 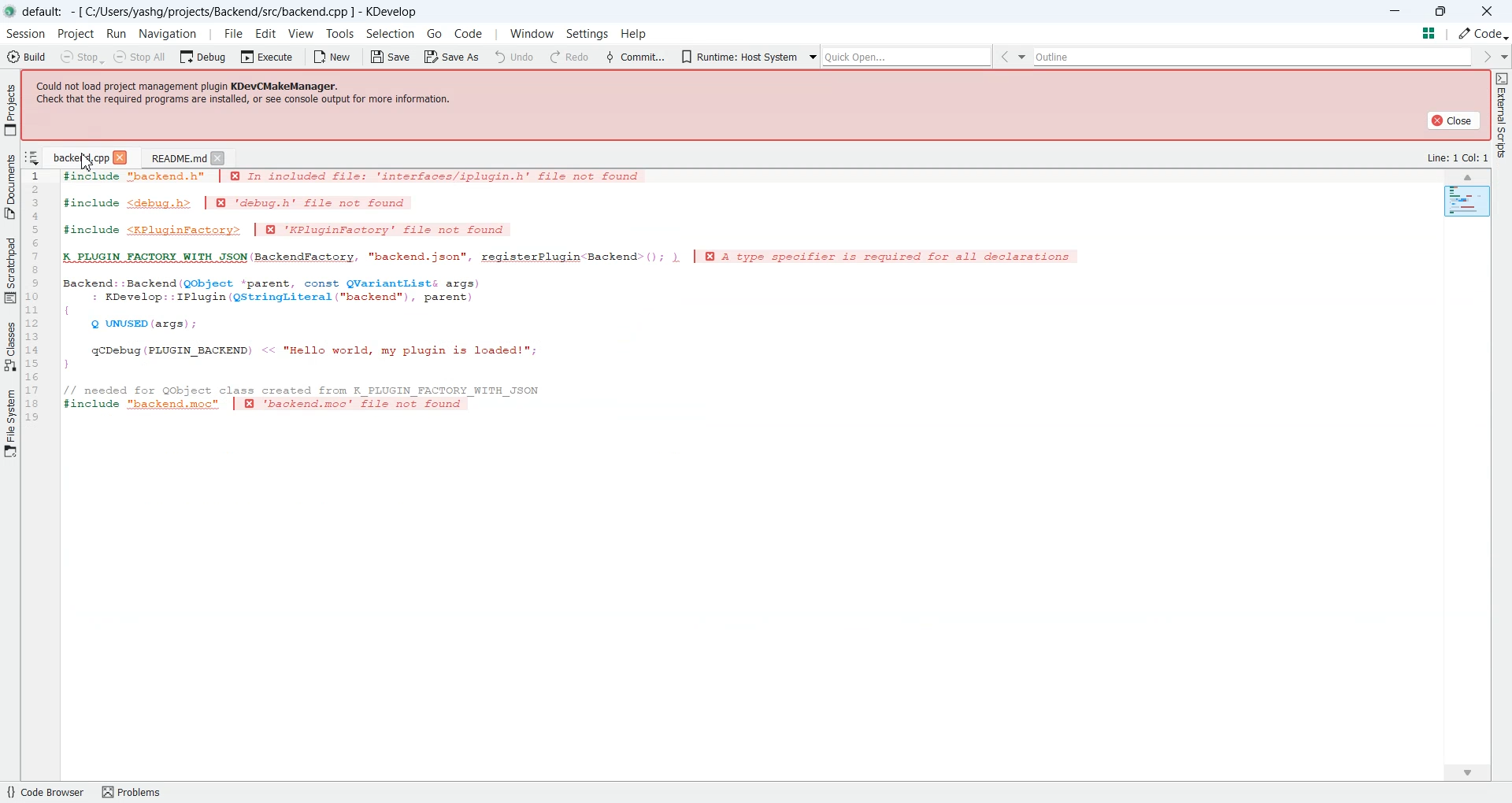 What do you see at coordinates (276, 293) in the screenshot?
I see `Backend: : Backend (QObject ‘parent, const QVariantListi args)
: KDevelop: :IPlugin (QStringLiteral ("backend"), parent)` at bounding box center [276, 293].